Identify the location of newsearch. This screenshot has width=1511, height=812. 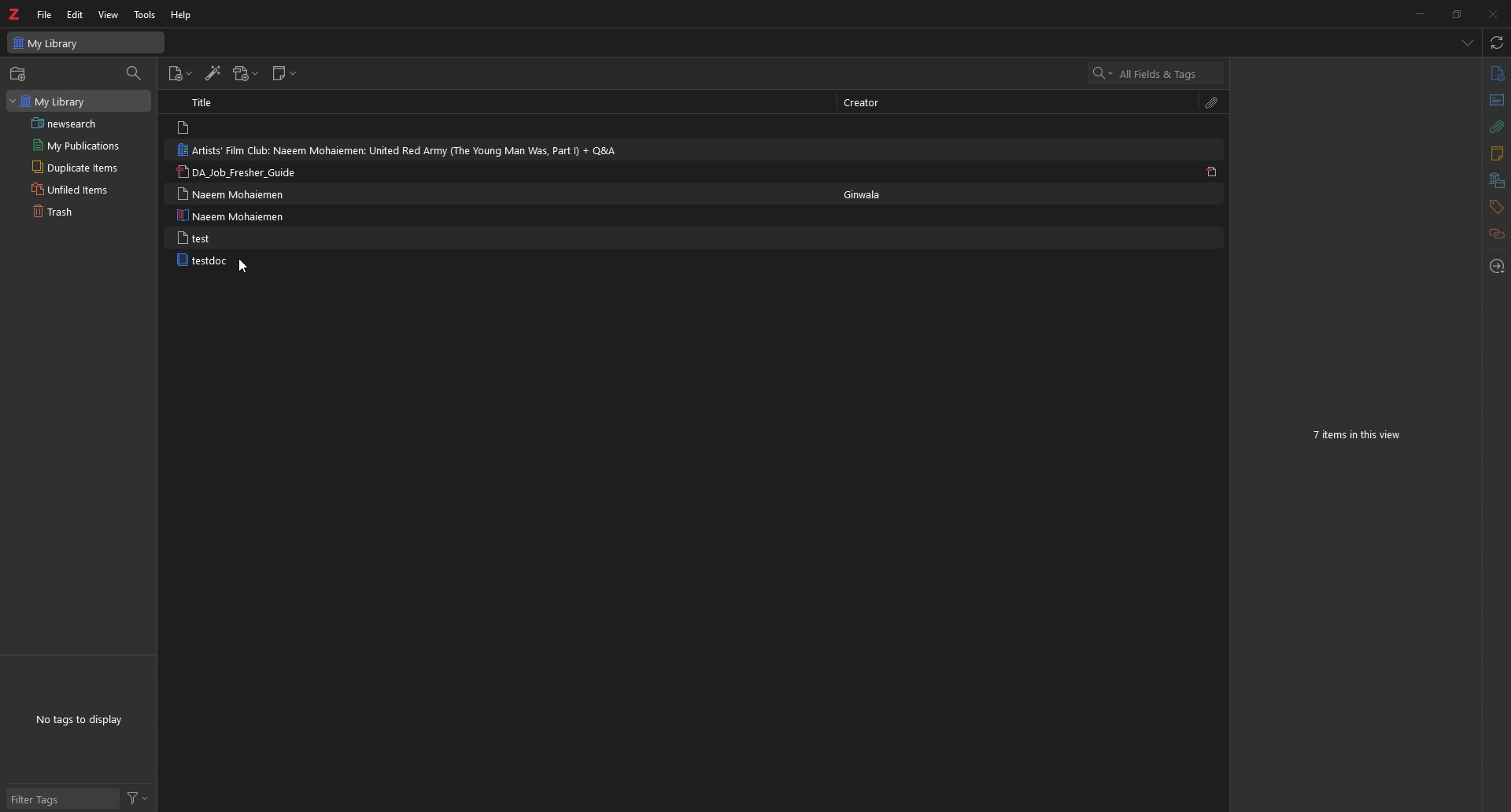
(65, 124).